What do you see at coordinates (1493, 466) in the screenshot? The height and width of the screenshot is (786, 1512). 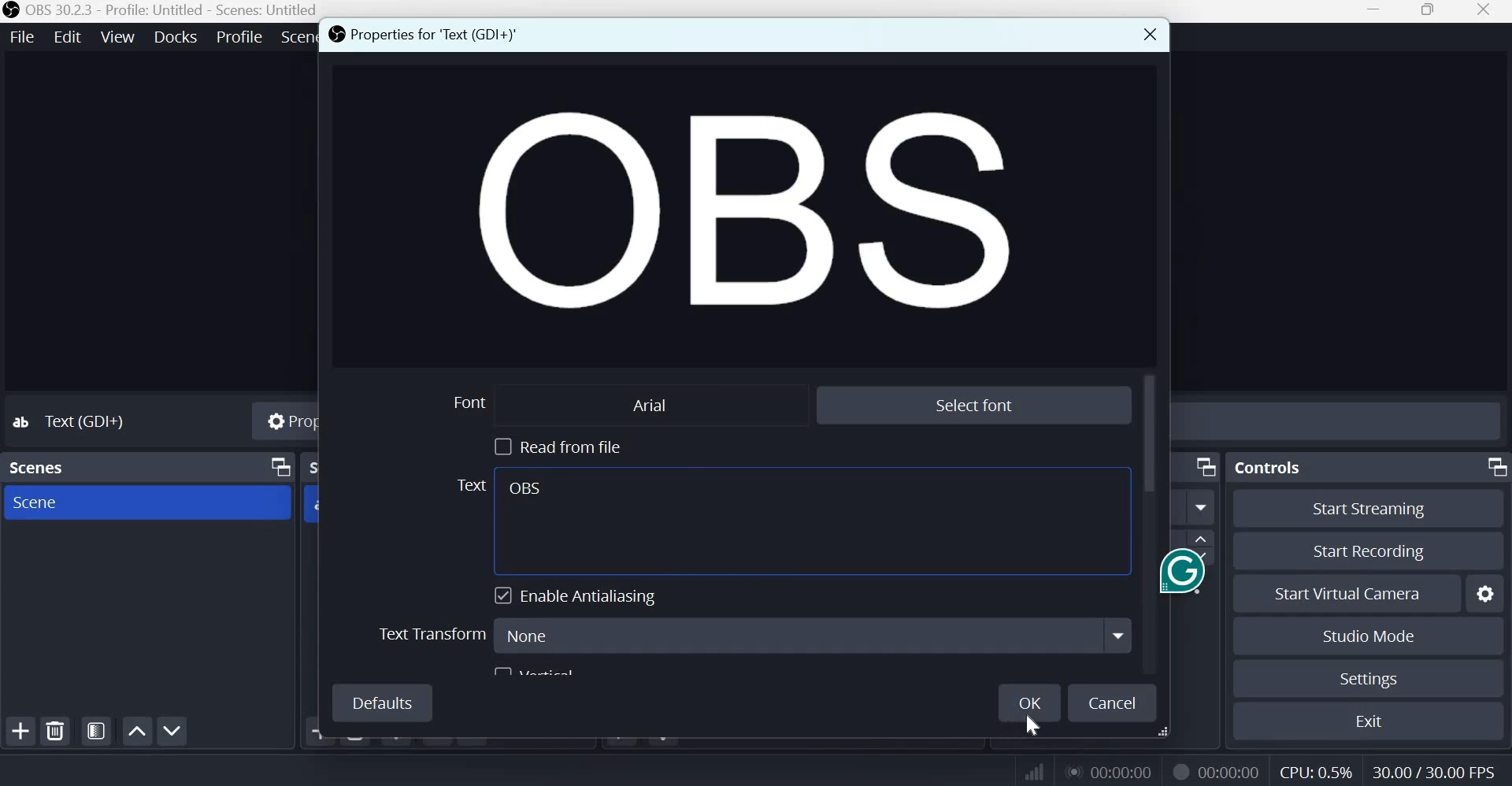 I see ` Dock Options icon` at bounding box center [1493, 466].